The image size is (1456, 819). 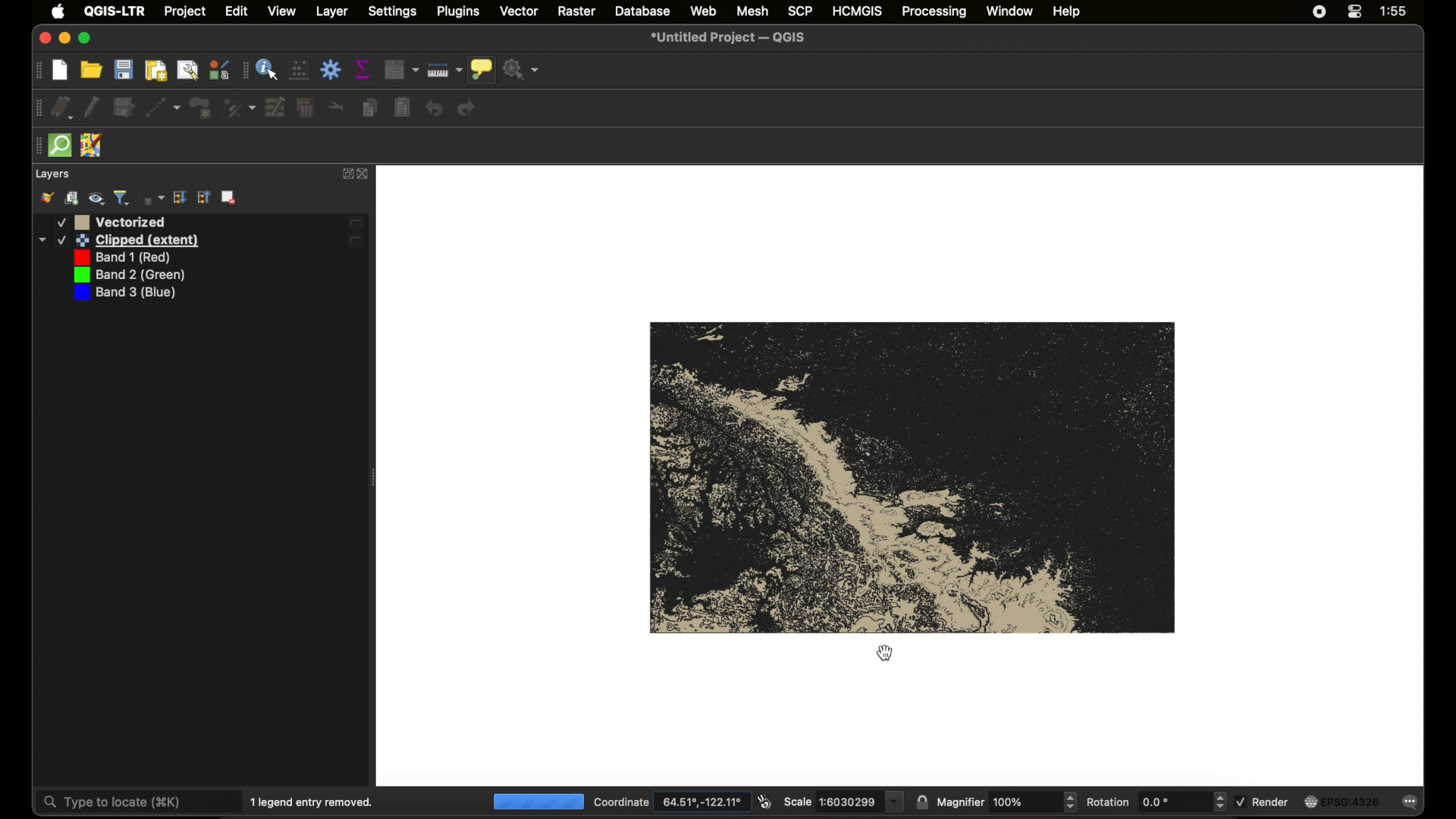 I want to click on cut, so click(x=337, y=105).